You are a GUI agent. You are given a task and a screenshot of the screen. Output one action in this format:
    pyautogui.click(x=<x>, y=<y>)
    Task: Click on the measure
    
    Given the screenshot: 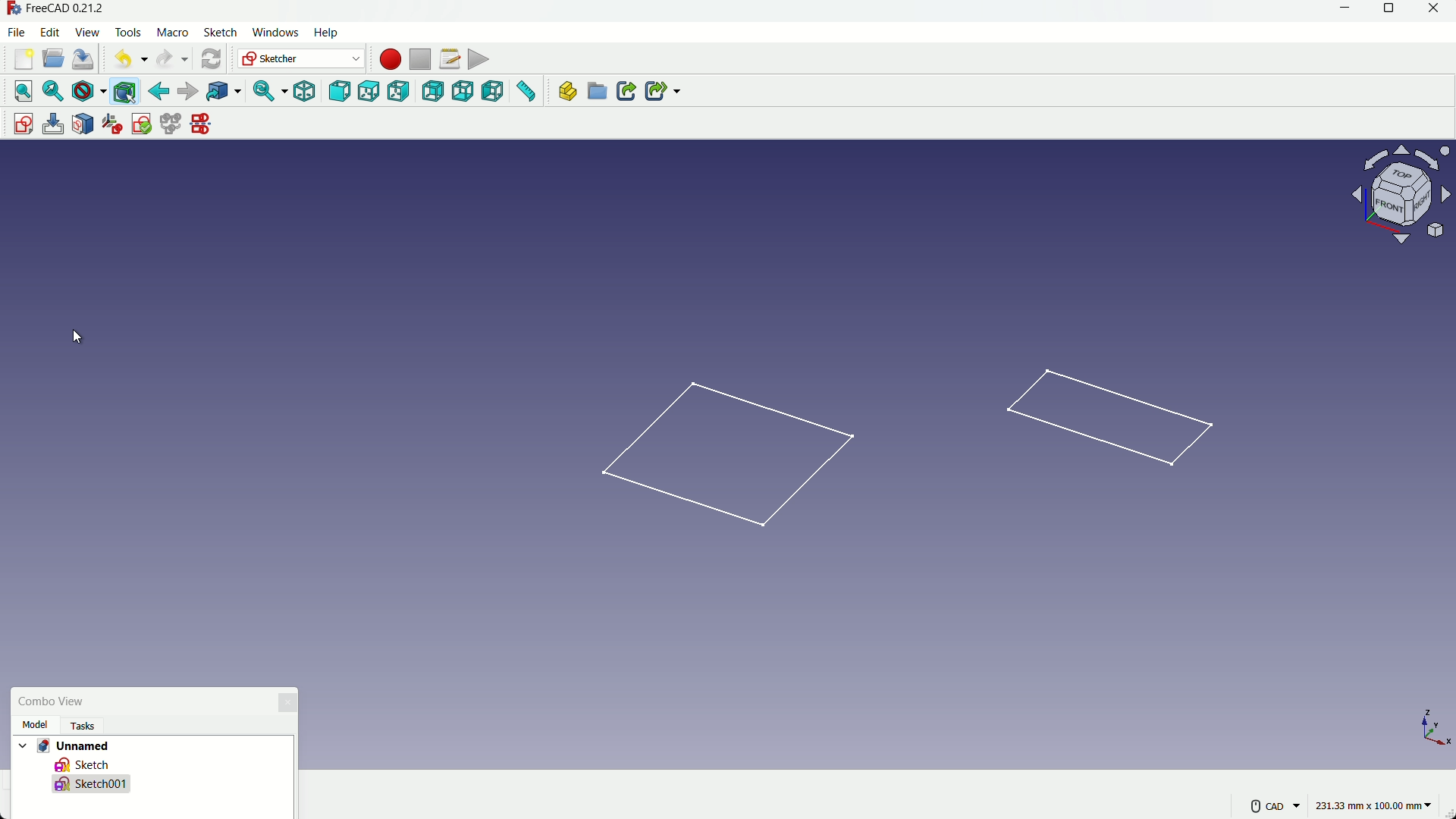 What is the action you would take?
    pyautogui.click(x=525, y=91)
    